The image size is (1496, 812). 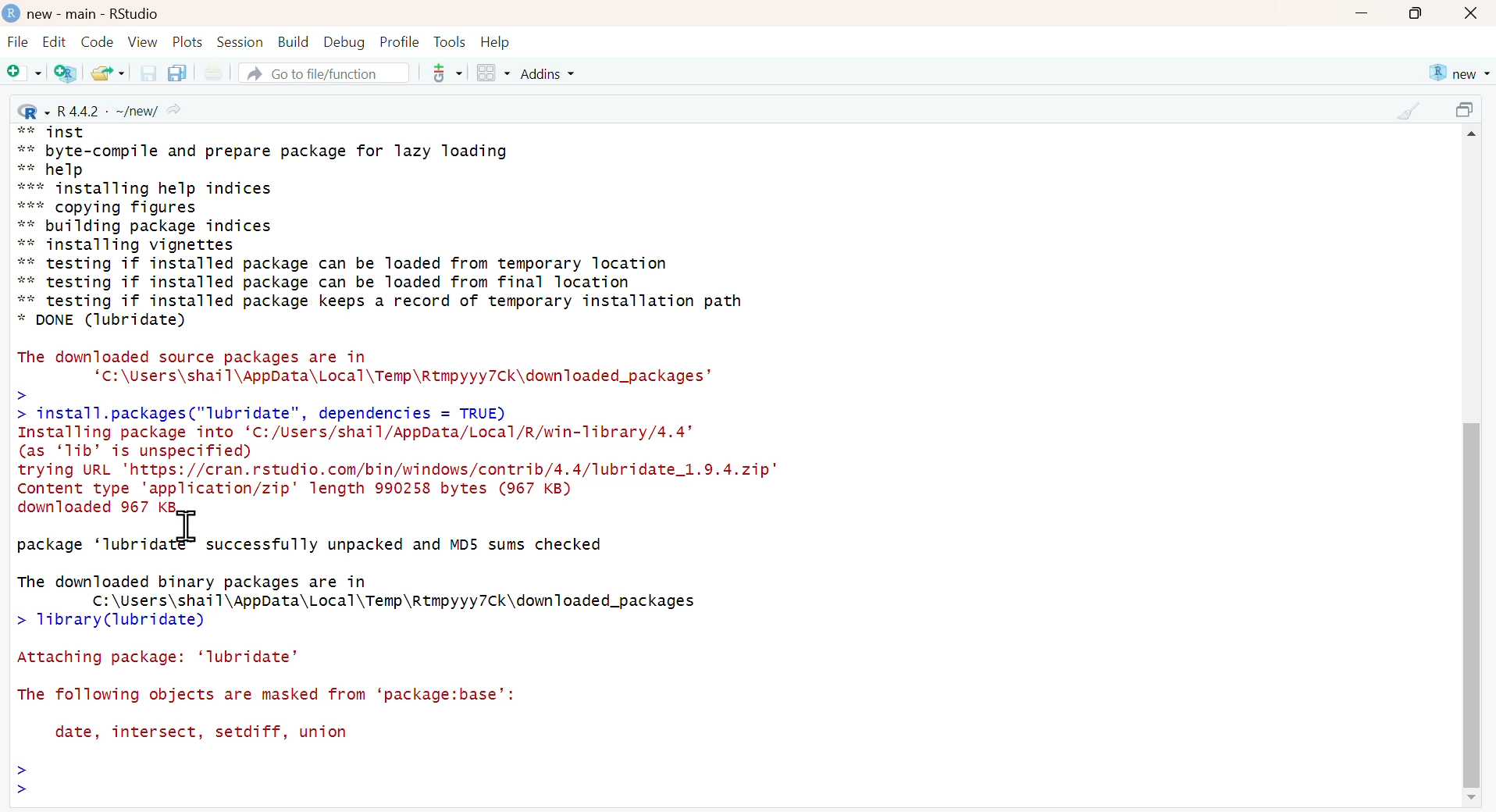 What do you see at coordinates (322, 73) in the screenshot?
I see `Go to file/function` at bounding box center [322, 73].